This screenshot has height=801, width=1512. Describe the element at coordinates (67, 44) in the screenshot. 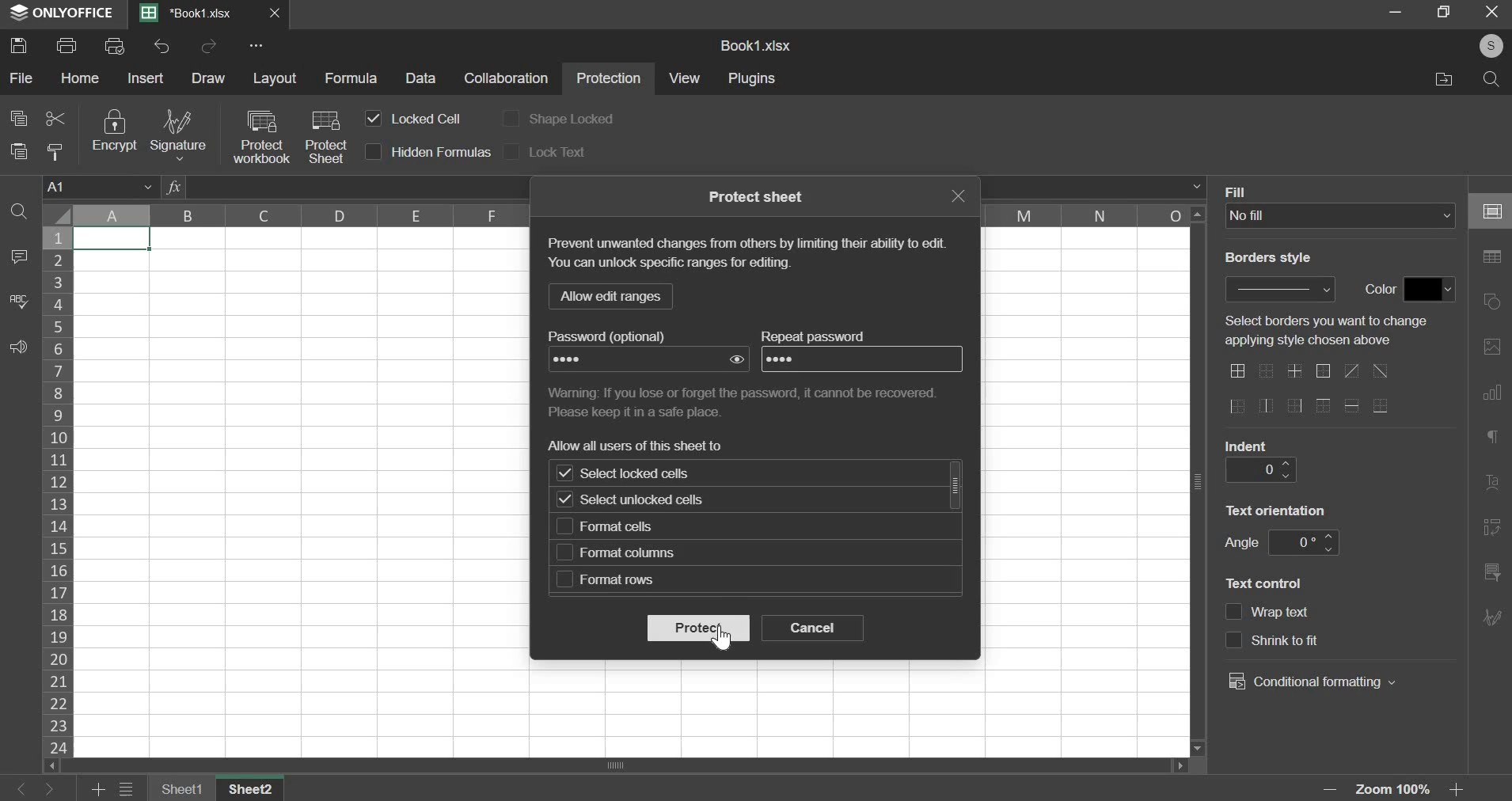

I see `print` at that location.